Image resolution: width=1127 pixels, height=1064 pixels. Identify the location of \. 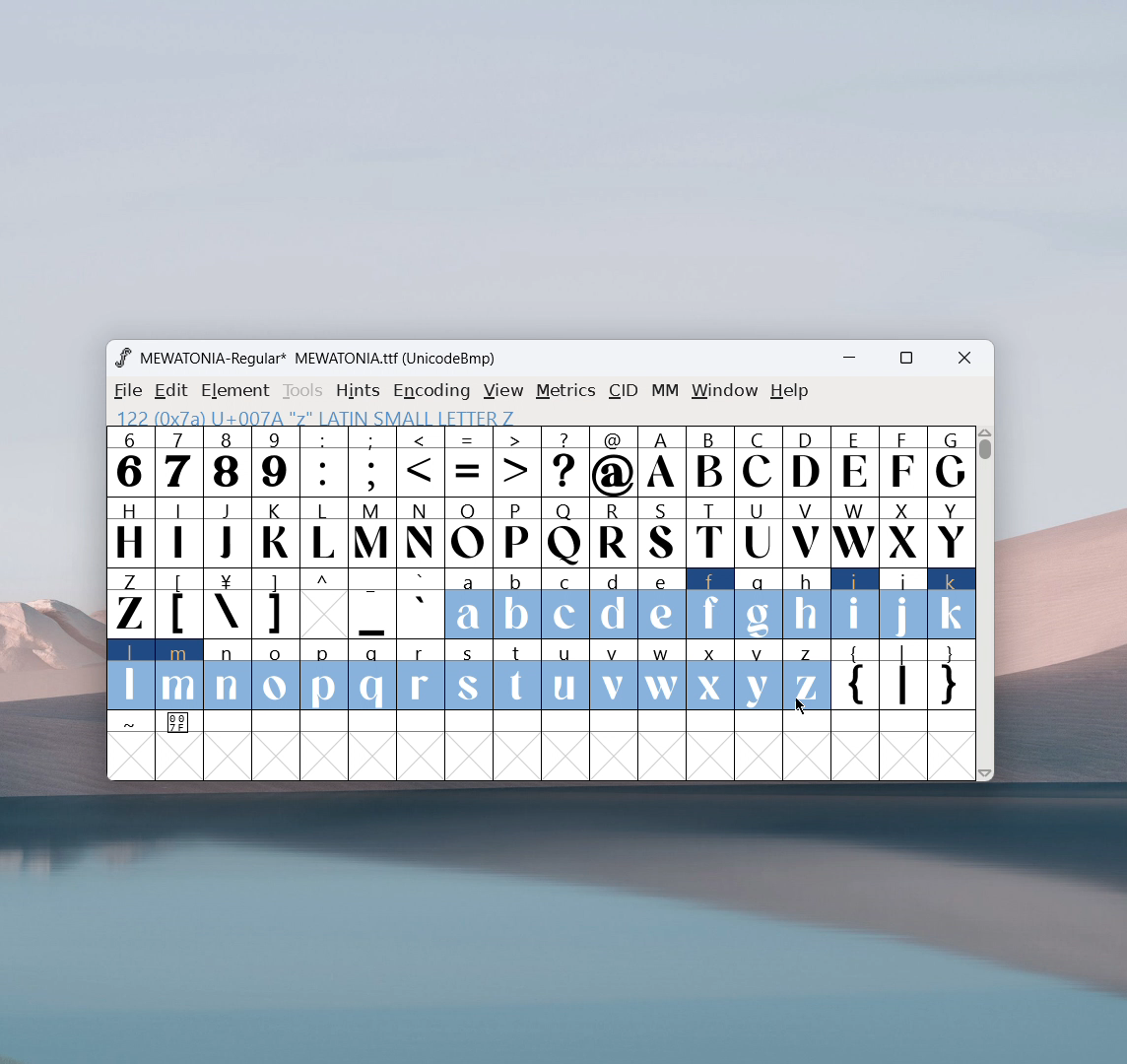
(227, 604).